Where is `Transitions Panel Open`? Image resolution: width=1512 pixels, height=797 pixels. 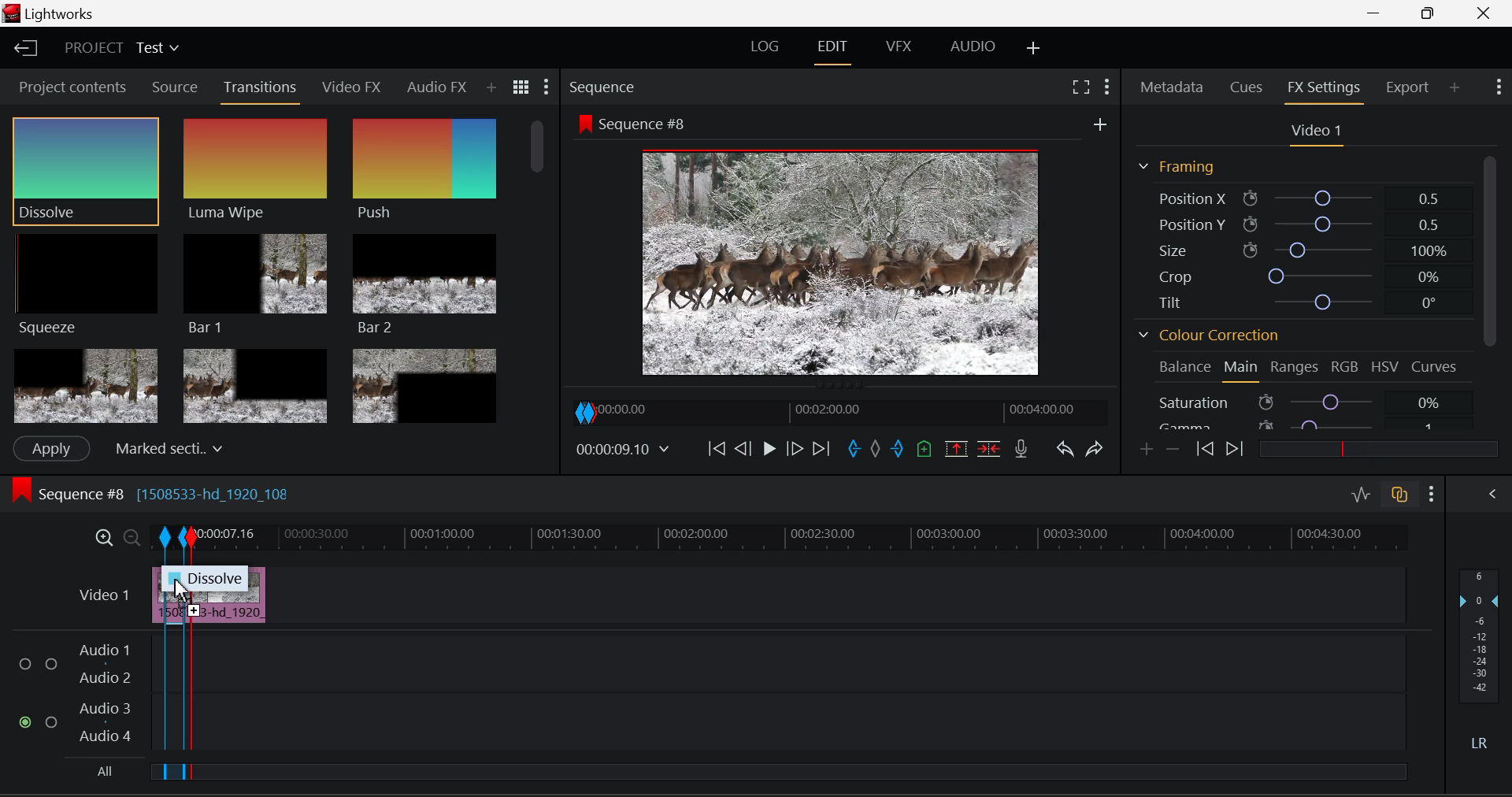 Transitions Panel Open is located at coordinates (261, 91).